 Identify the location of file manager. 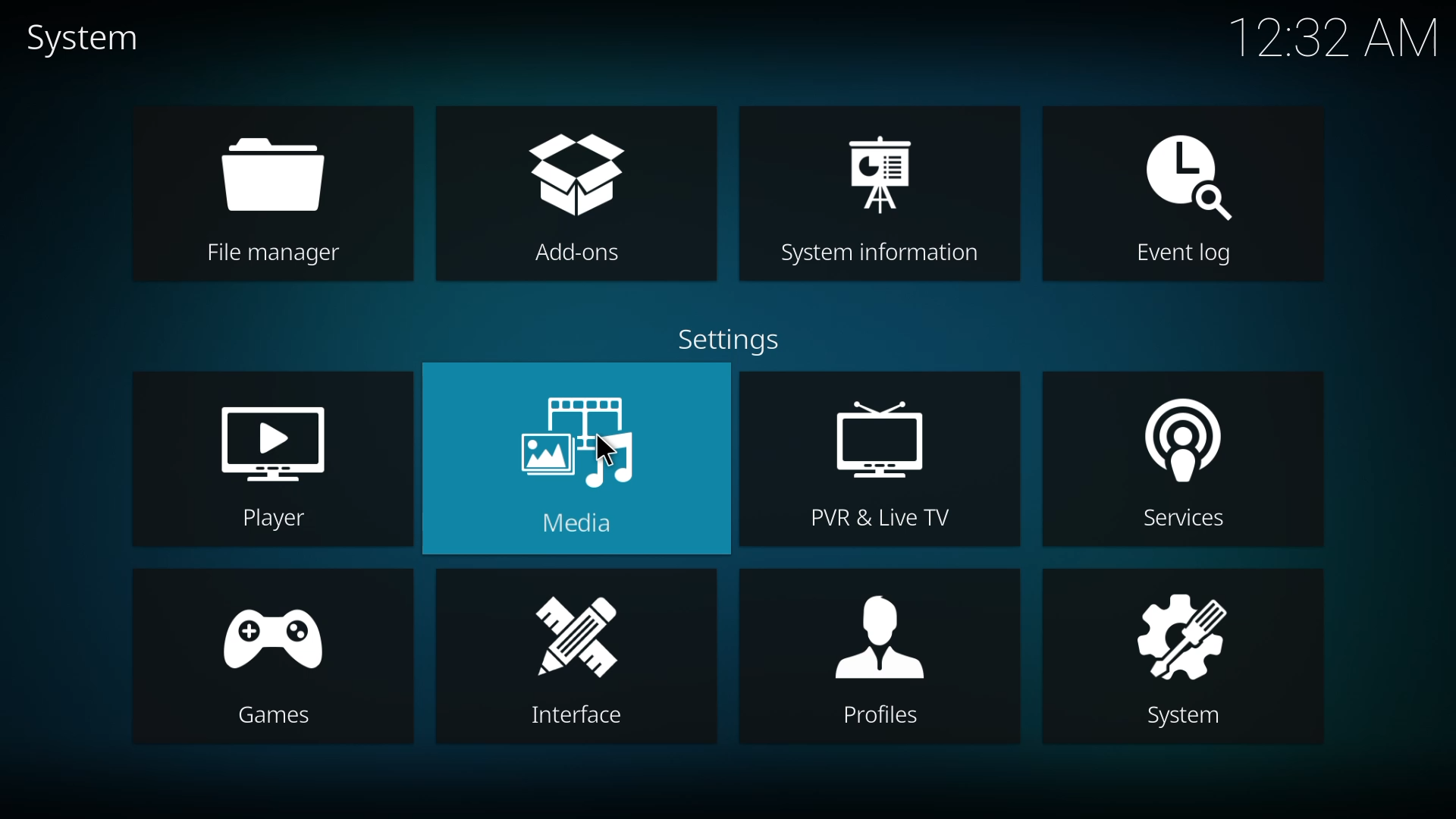
(270, 198).